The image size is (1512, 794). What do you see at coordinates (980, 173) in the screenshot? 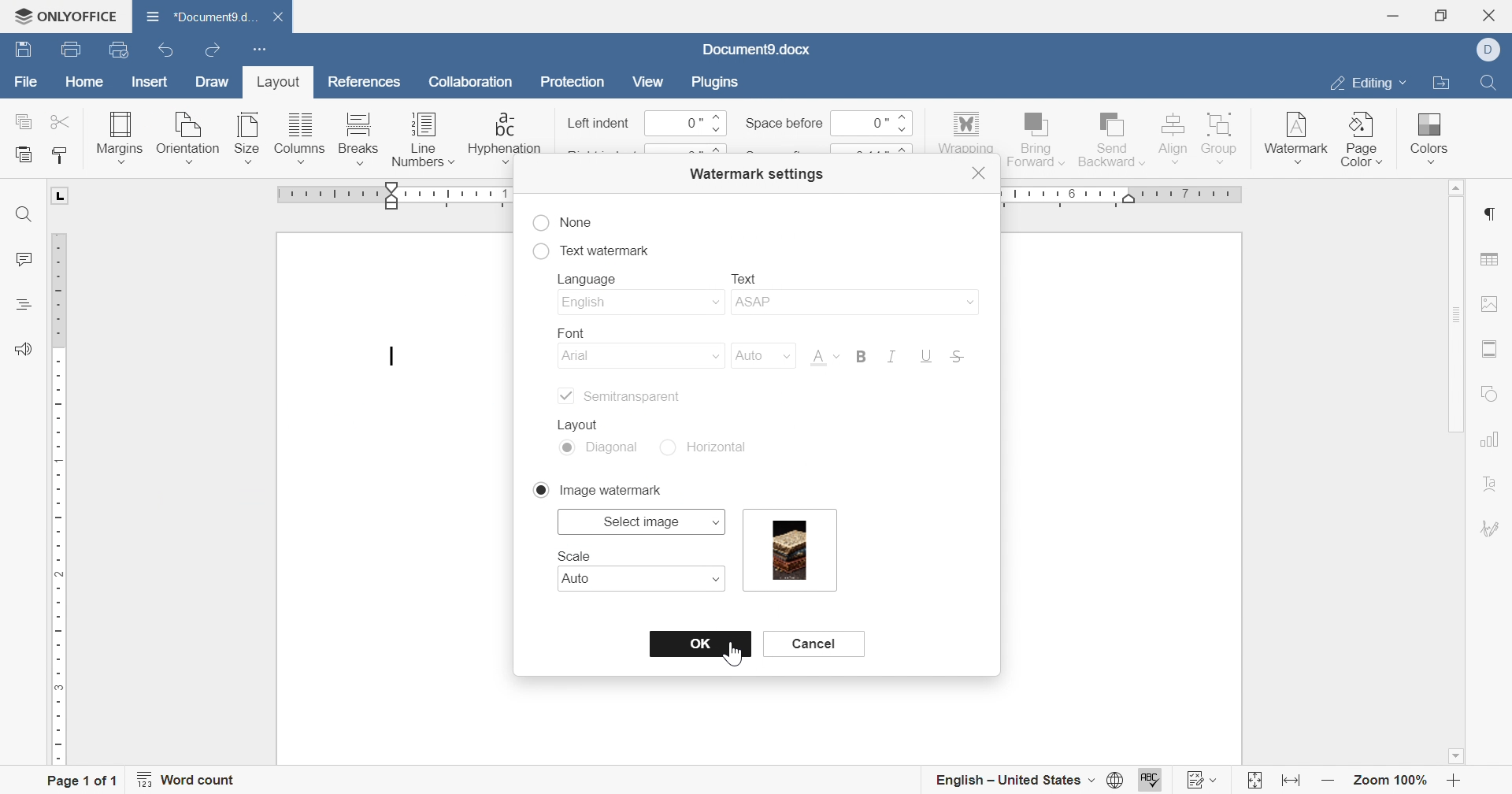
I see `close` at bounding box center [980, 173].